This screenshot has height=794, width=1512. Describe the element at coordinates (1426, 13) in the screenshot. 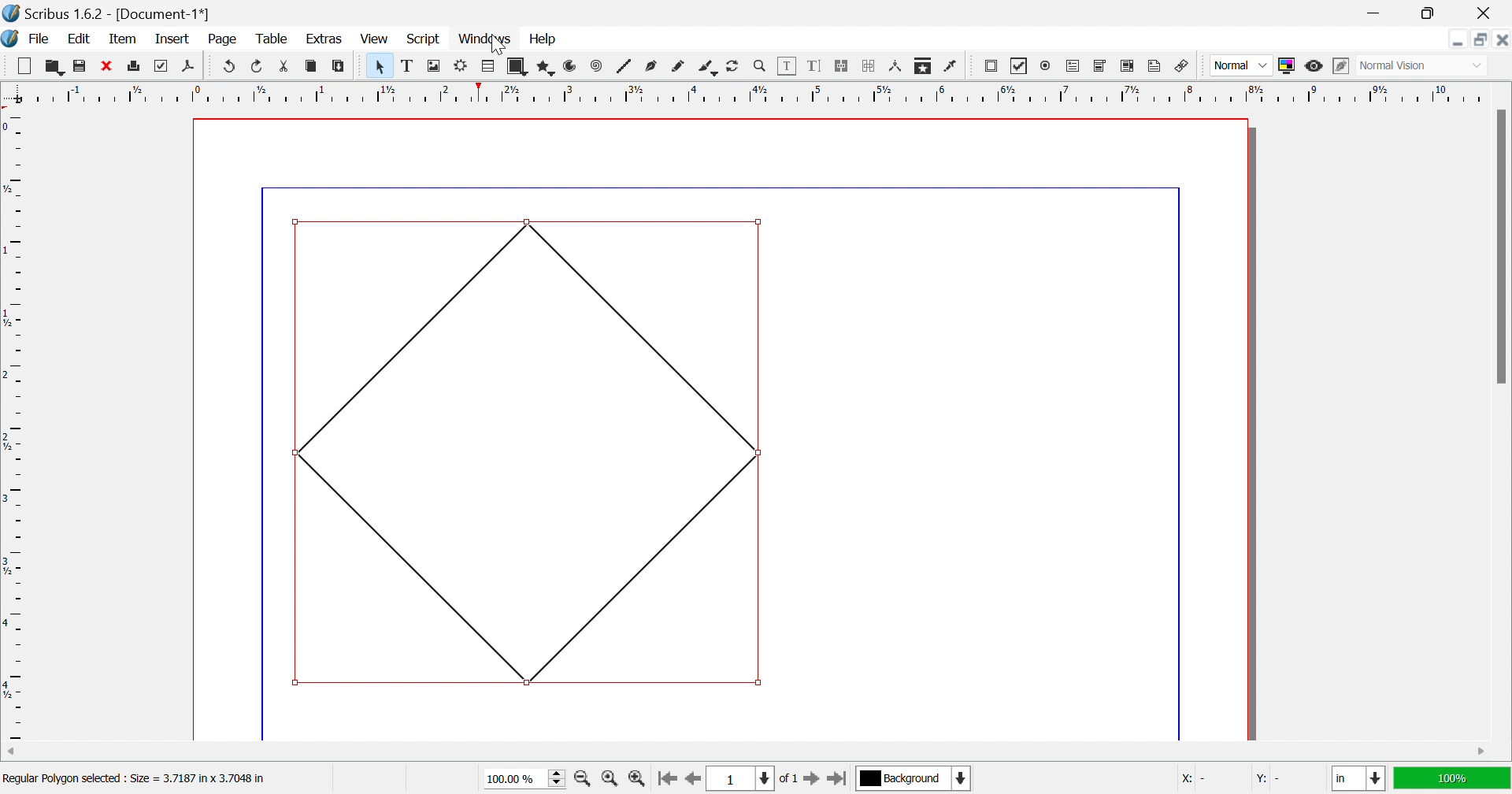

I see `Restore down` at that location.